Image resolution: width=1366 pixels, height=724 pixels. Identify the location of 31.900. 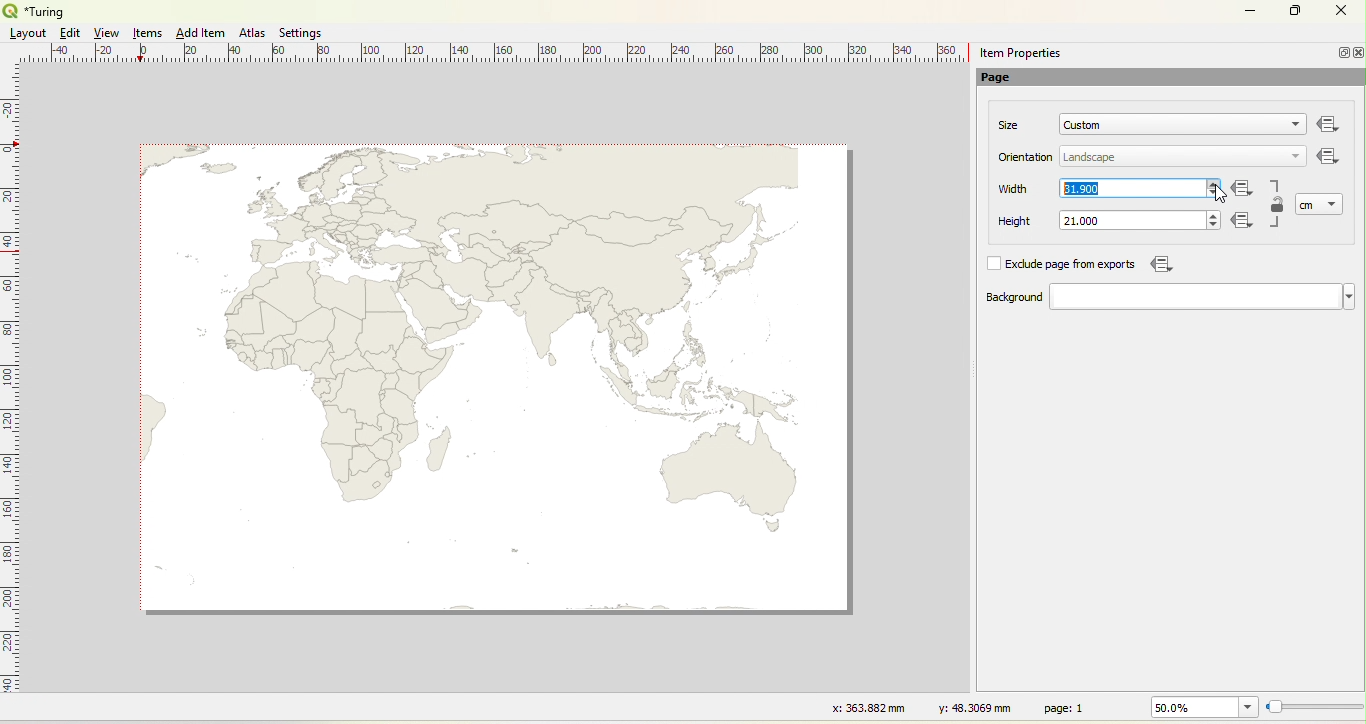
(1080, 188).